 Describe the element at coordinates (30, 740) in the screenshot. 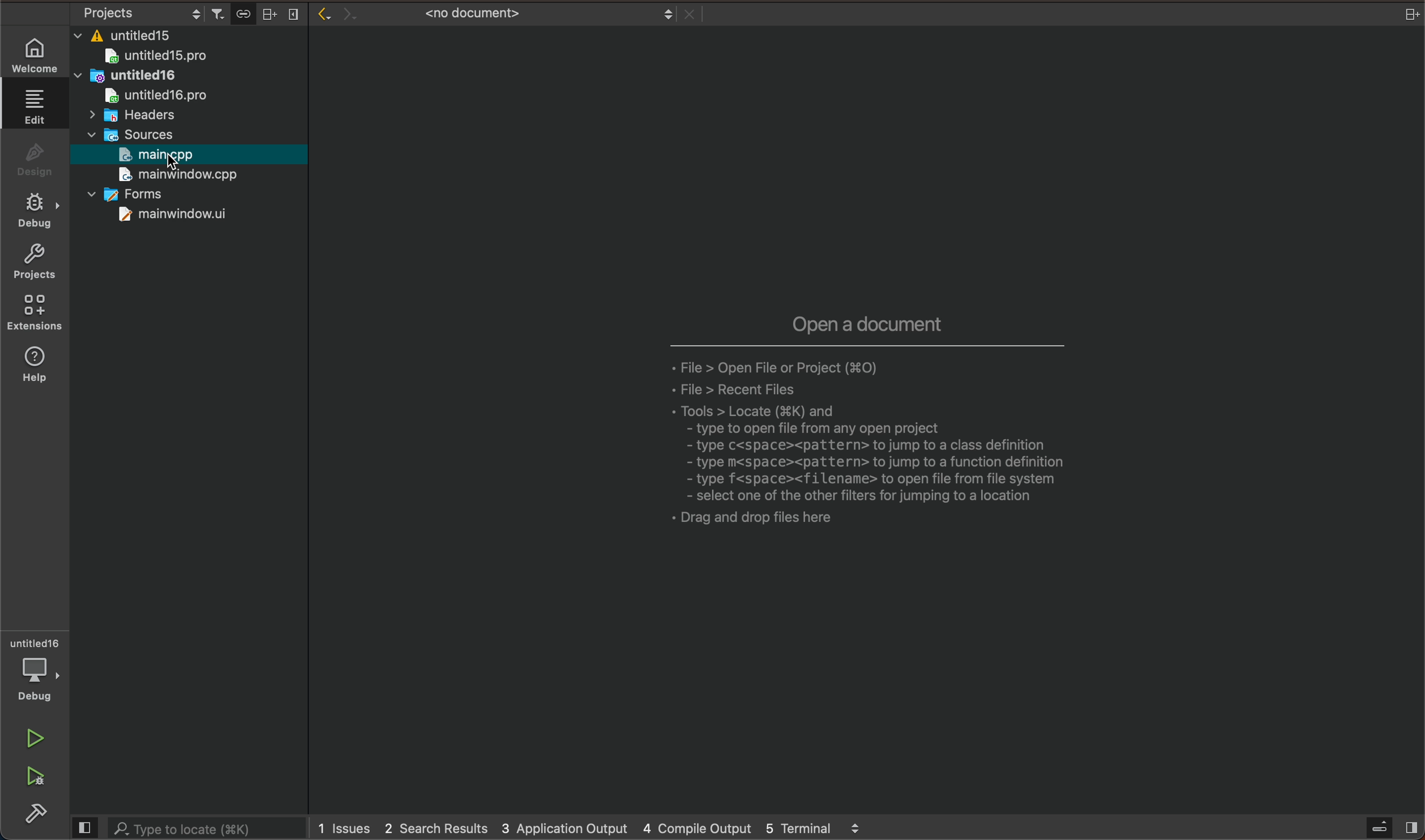

I see `run` at that location.